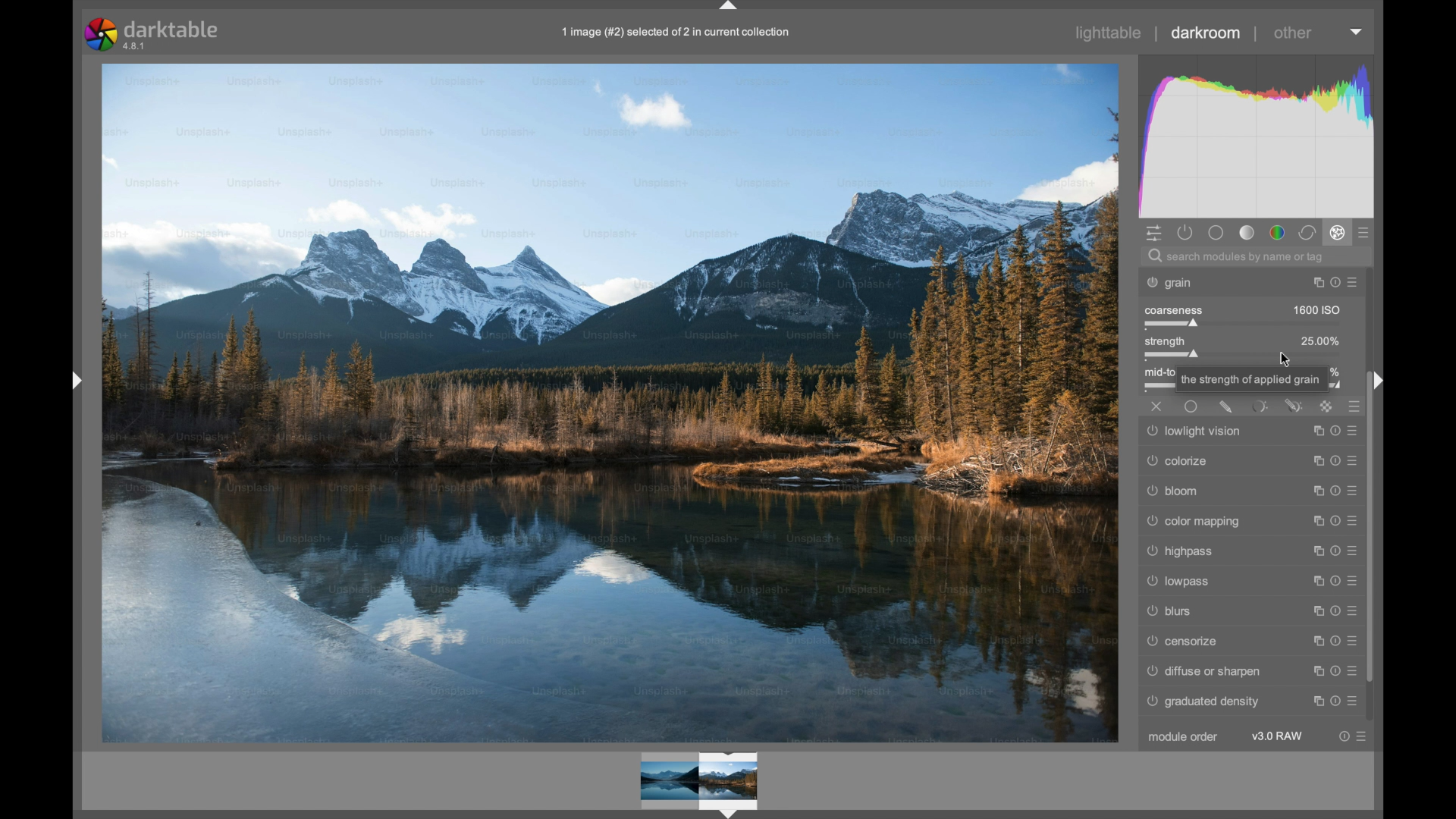 The image size is (1456, 819). Describe the element at coordinates (1335, 582) in the screenshot. I see `reset parameters` at that location.